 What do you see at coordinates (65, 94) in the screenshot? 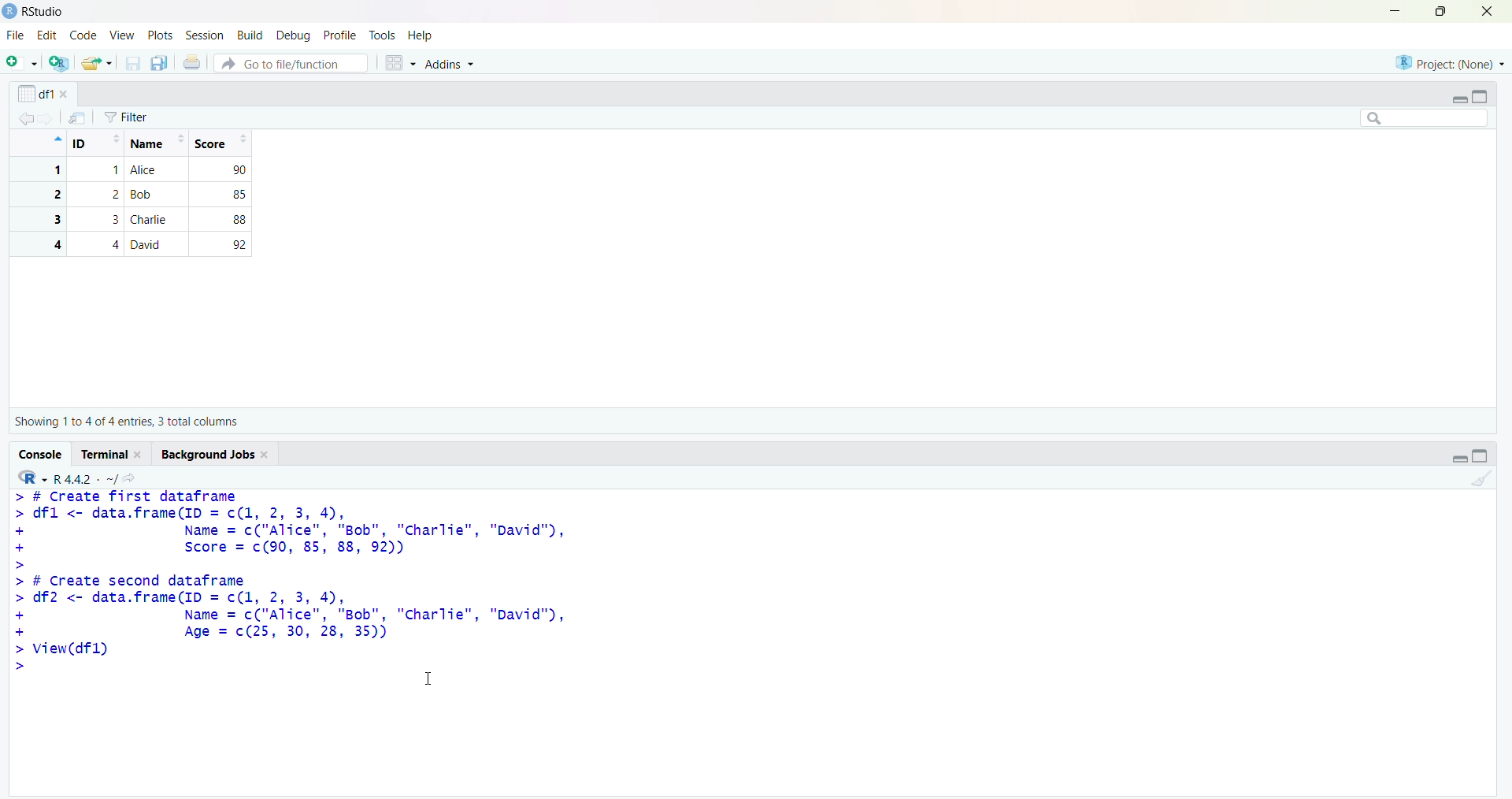
I see `close` at bounding box center [65, 94].